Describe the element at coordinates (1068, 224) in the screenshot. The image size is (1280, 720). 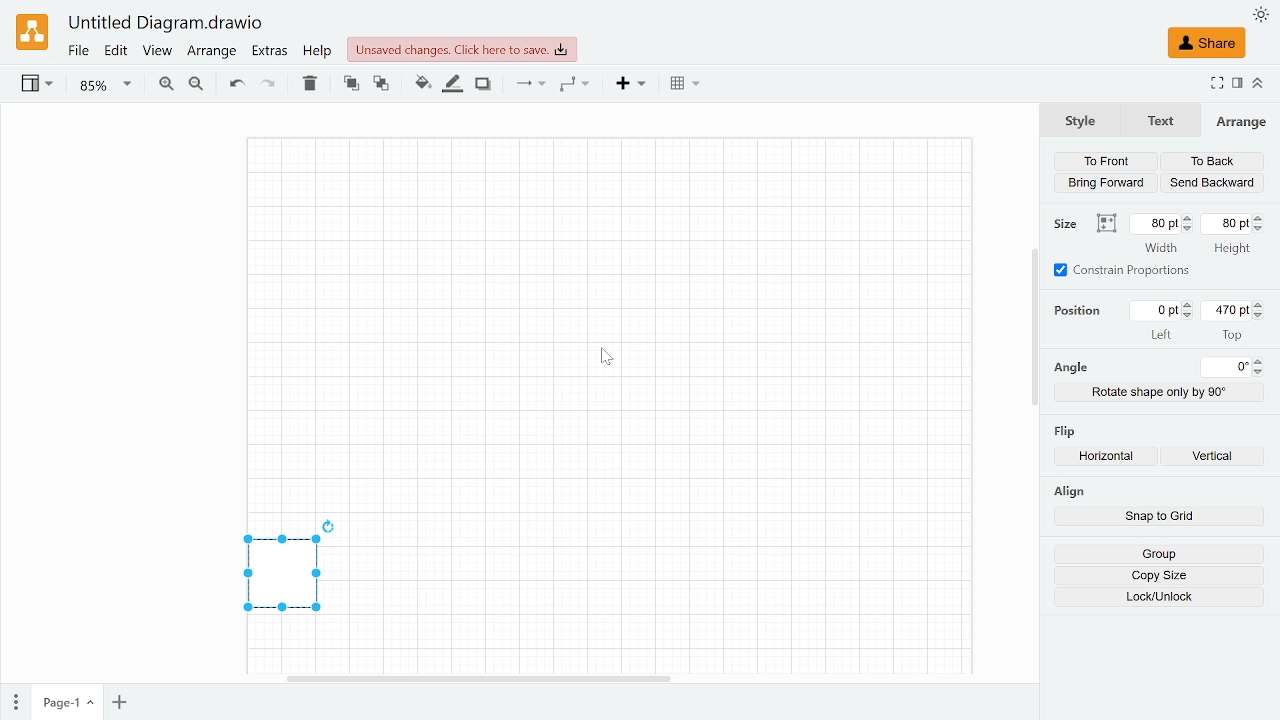
I see `size` at that location.